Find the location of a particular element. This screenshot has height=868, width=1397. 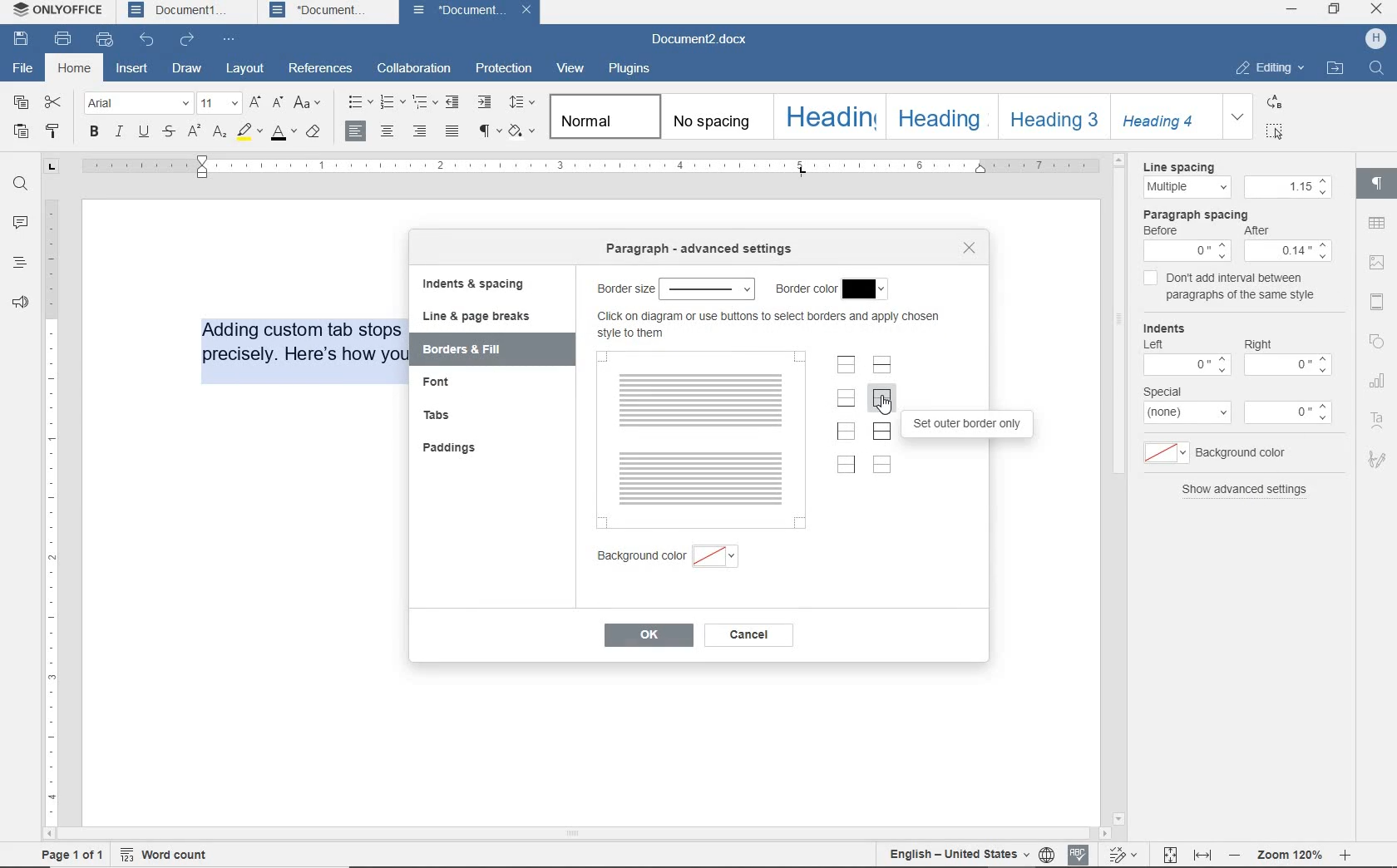

font is located at coordinates (138, 103).